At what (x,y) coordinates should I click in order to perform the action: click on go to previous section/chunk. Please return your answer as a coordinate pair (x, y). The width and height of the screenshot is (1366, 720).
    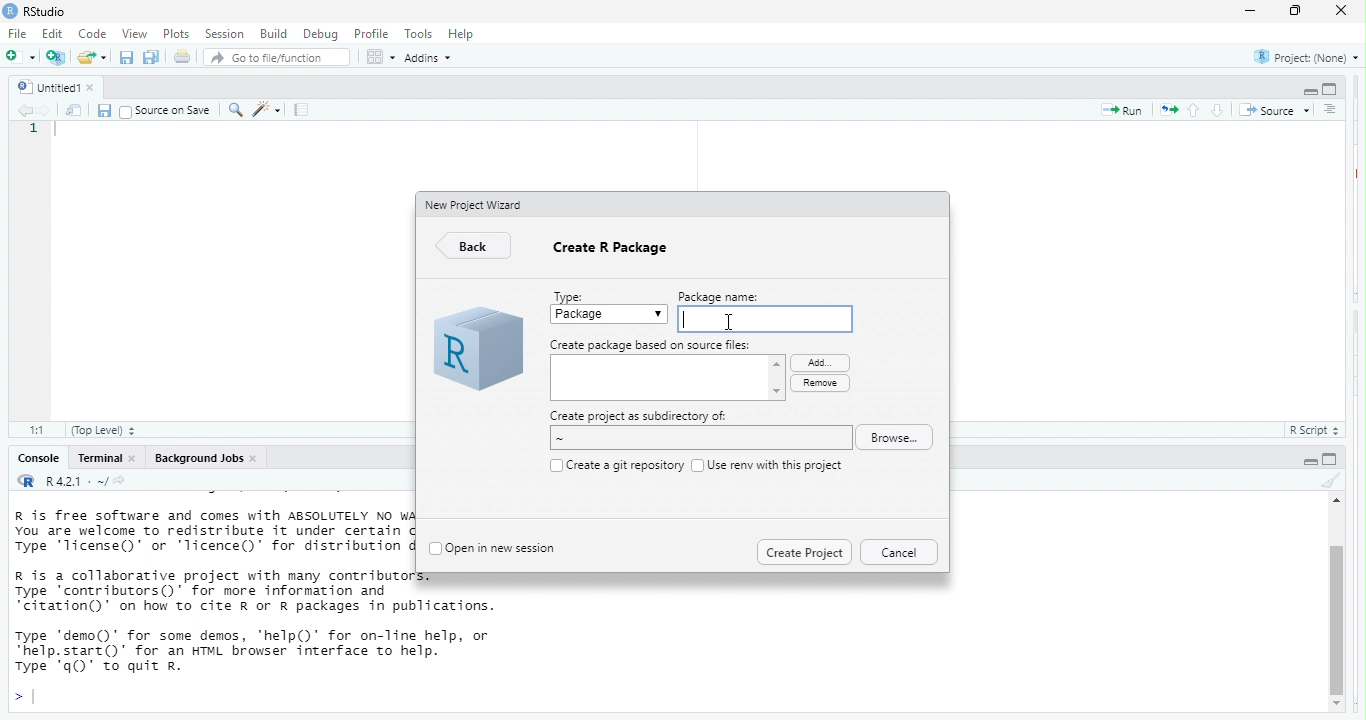
    Looking at the image, I should click on (1196, 111).